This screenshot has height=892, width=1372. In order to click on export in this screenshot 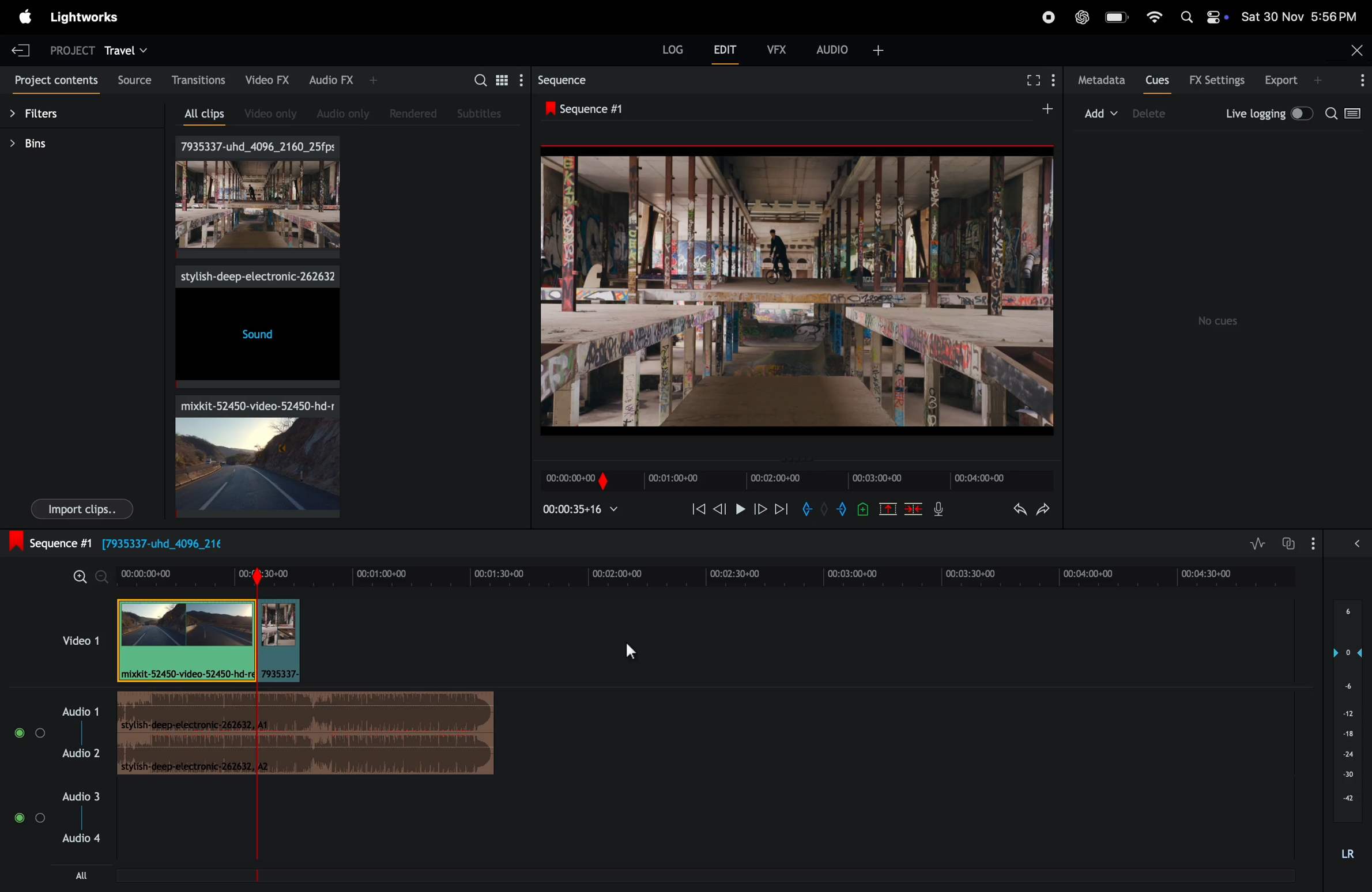, I will do `click(1287, 80)`.